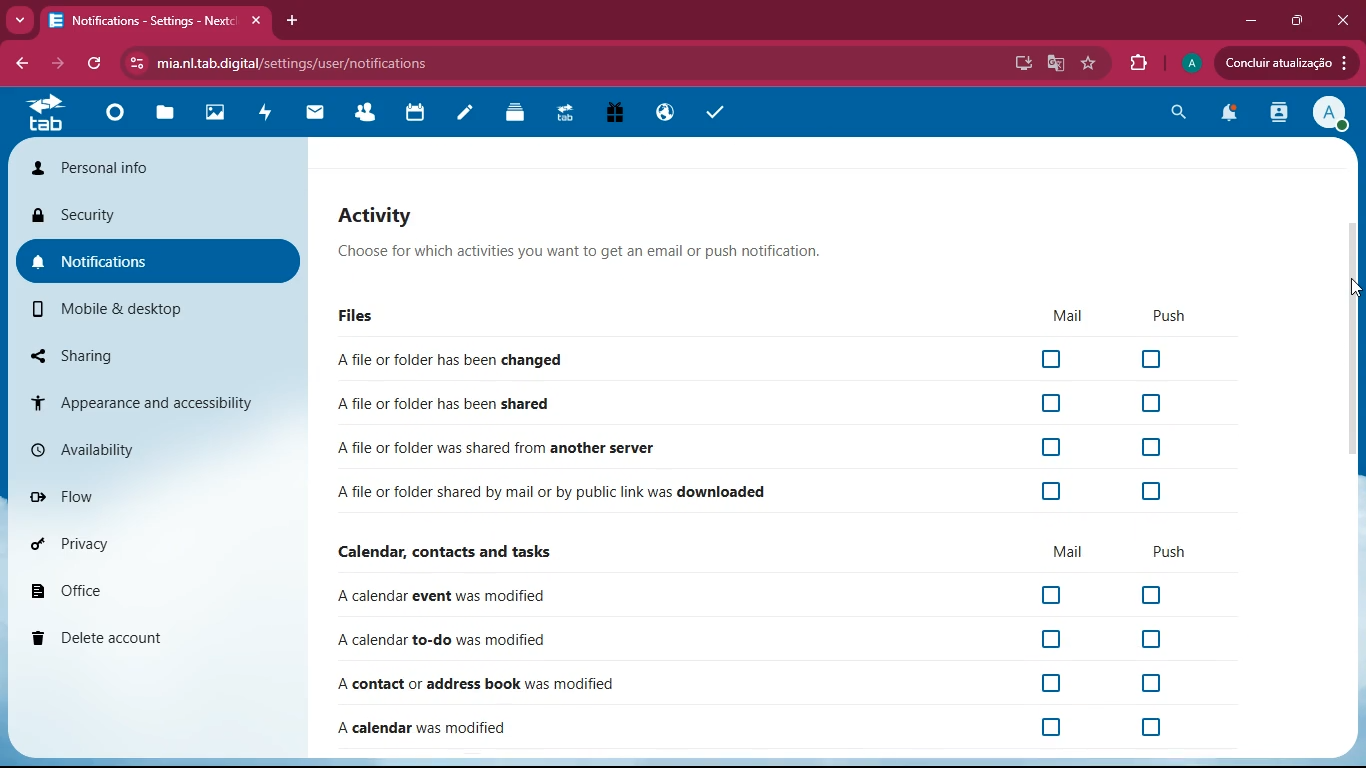 The width and height of the screenshot is (1366, 768). What do you see at coordinates (1069, 552) in the screenshot?
I see `mail` at bounding box center [1069, 552].